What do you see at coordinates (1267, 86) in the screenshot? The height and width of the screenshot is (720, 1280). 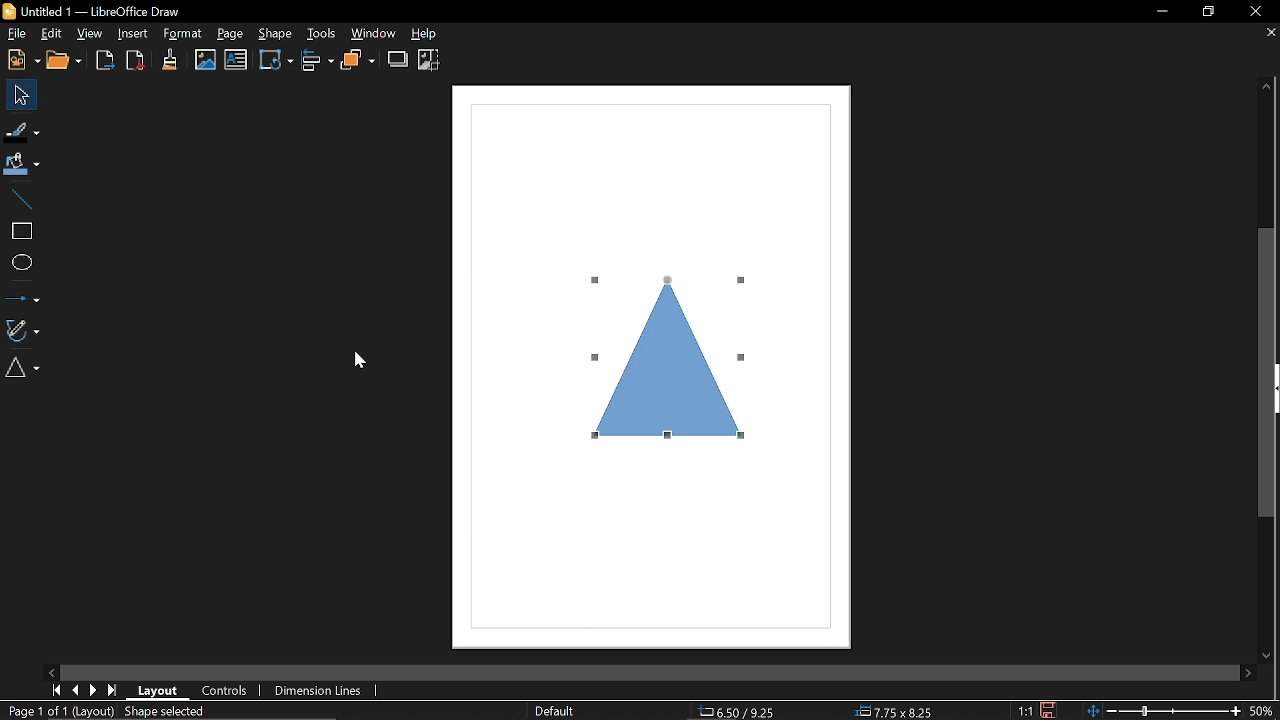 I see `Move up` at bounding box center [1267, 86].